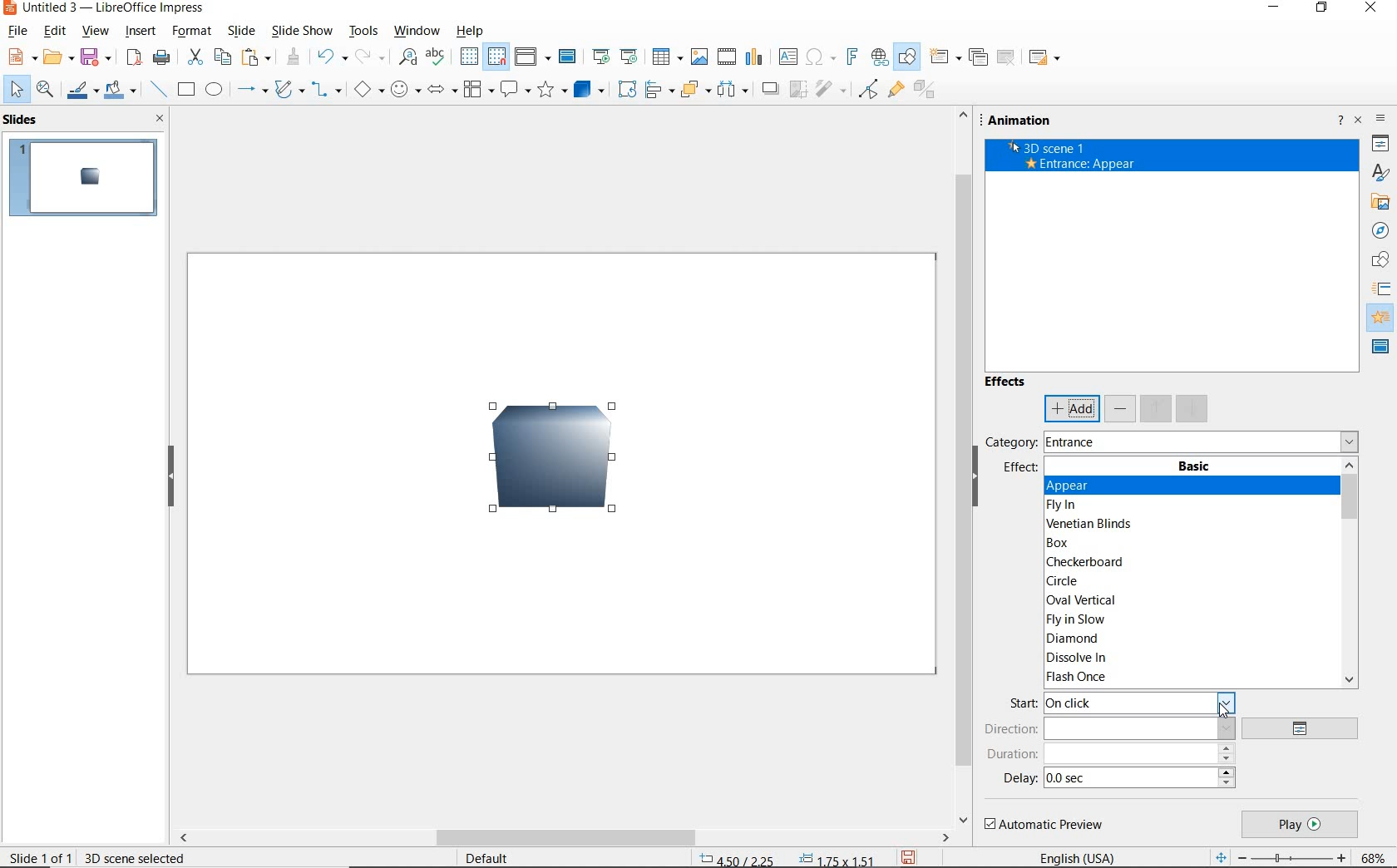 The image size is (1397, 868). Describe the element at coordinates (734, 91) in the screenshot. I see `3 objects to distribute` at that location.